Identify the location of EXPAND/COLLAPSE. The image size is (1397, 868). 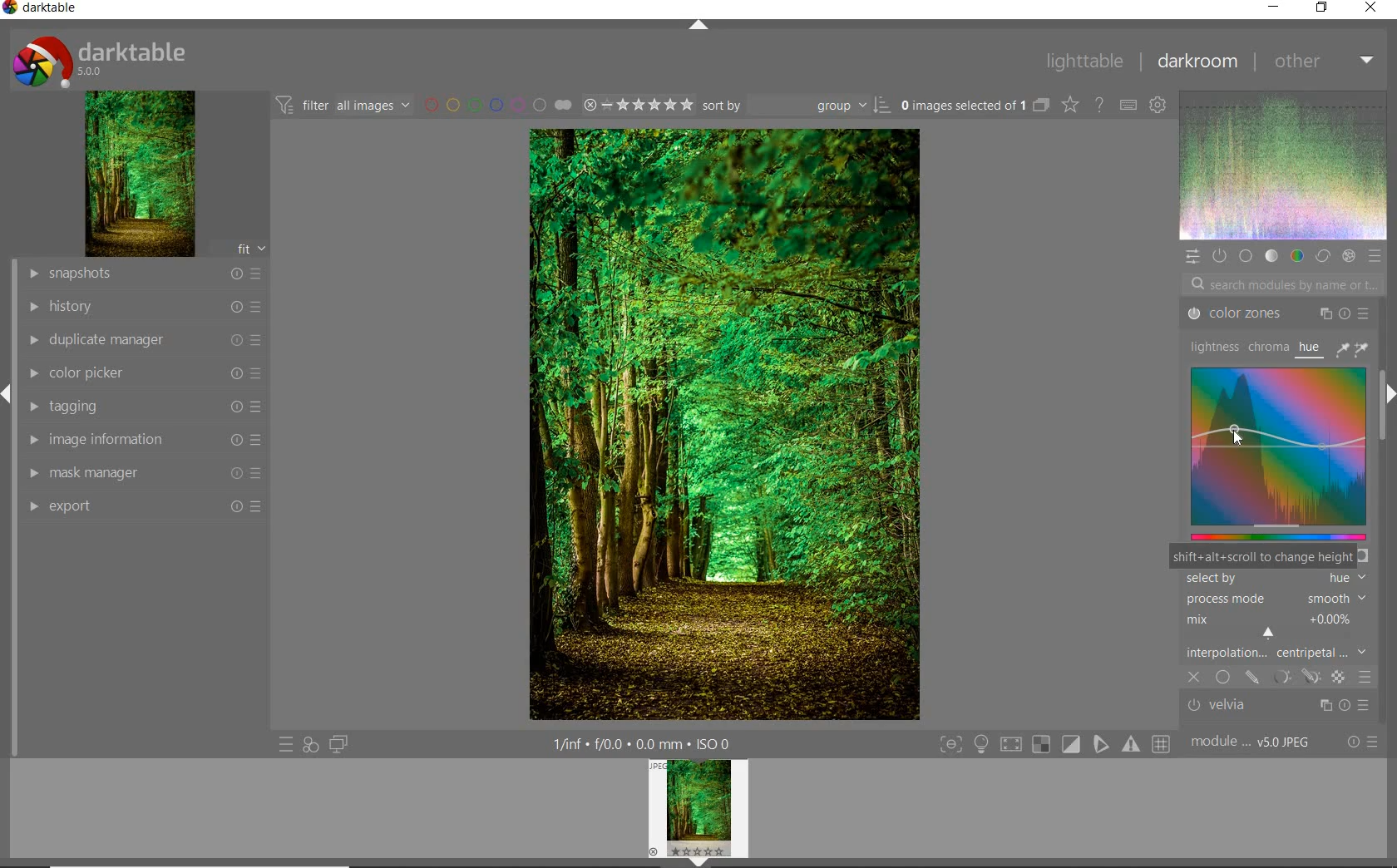
(1389, 396).